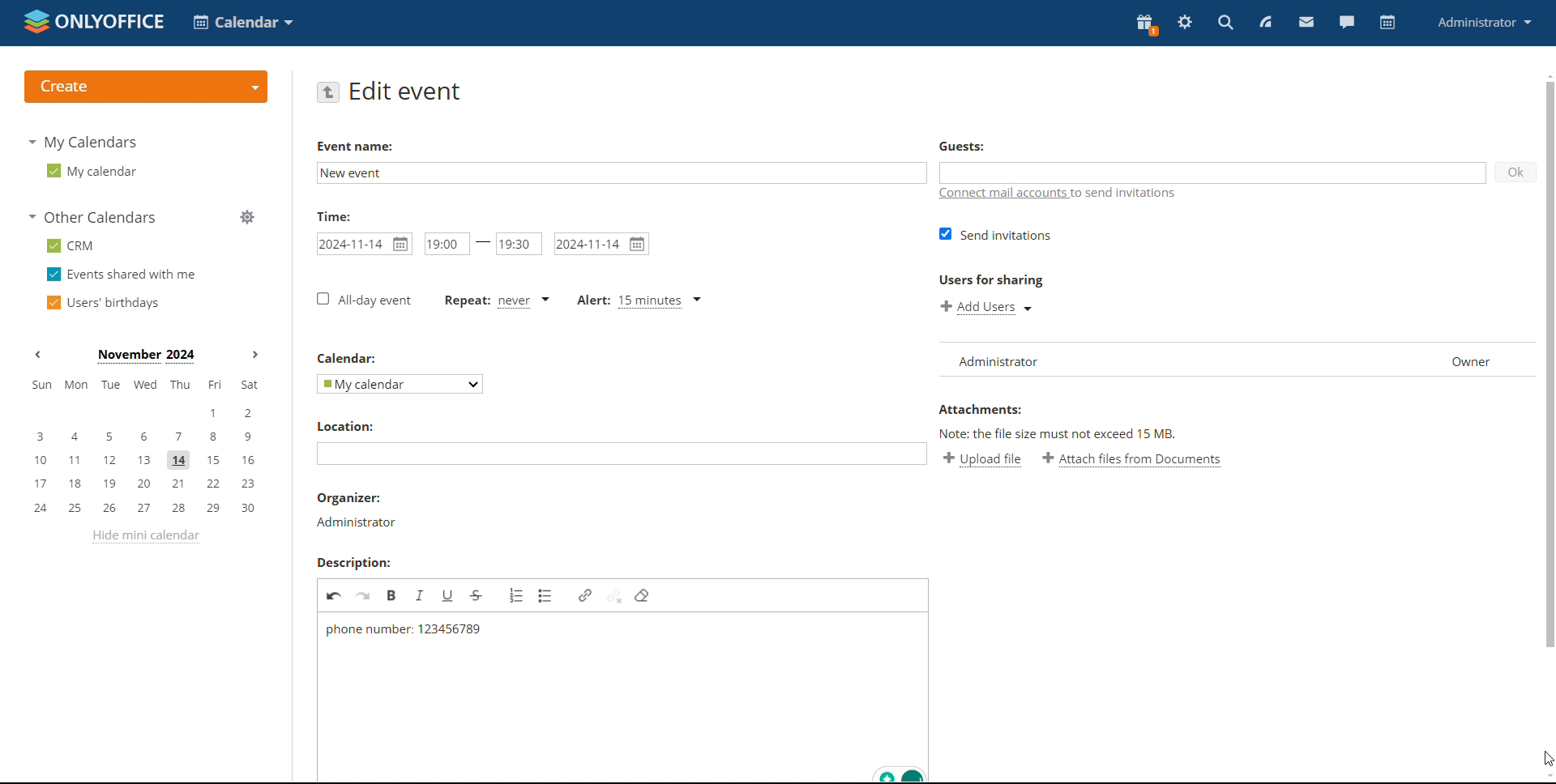 This screenshot has width=1556, height=784. I want to click on location, so click(356, 428).